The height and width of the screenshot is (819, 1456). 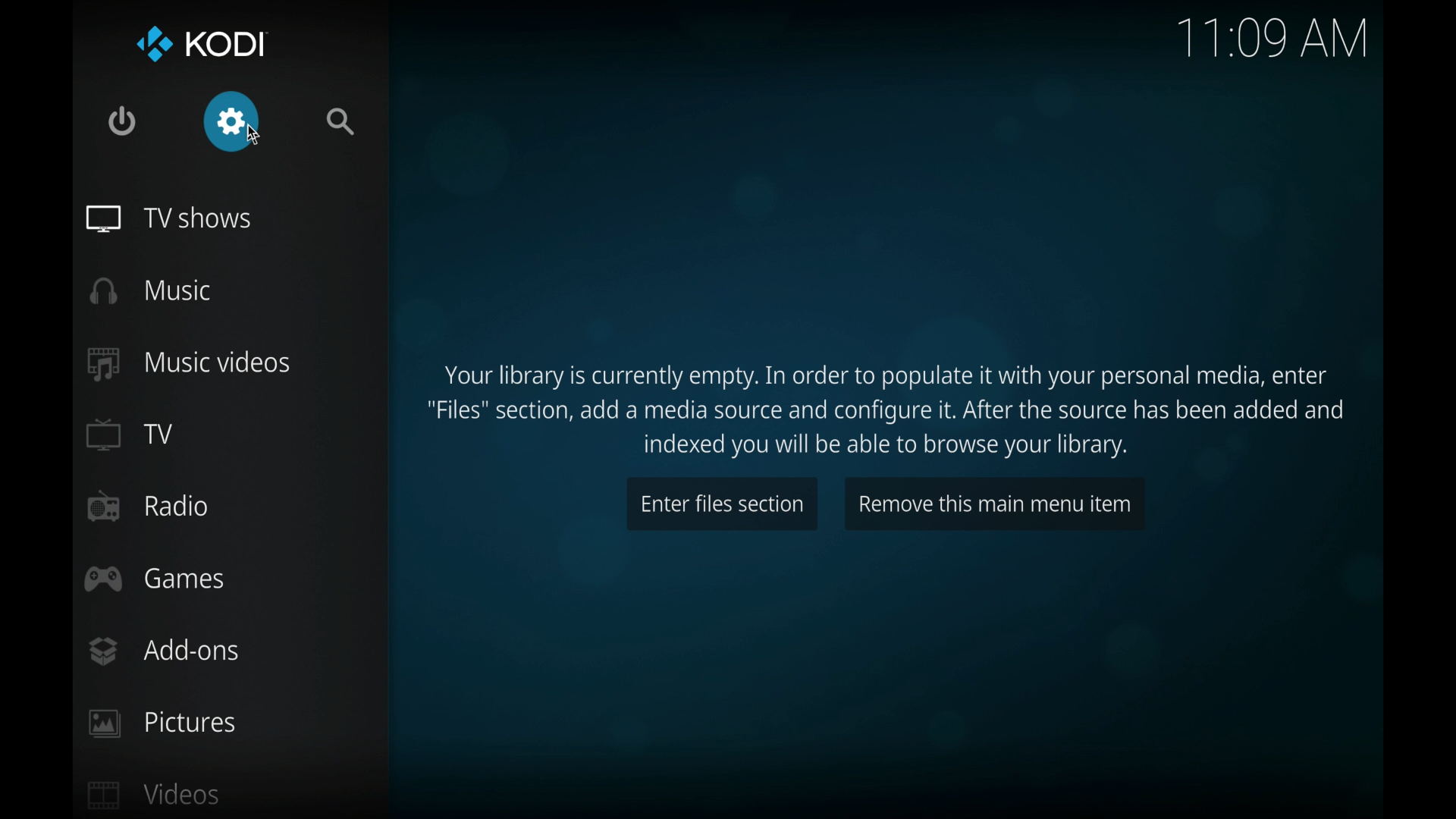 I want to click on settings, so click(x=232, y=121).